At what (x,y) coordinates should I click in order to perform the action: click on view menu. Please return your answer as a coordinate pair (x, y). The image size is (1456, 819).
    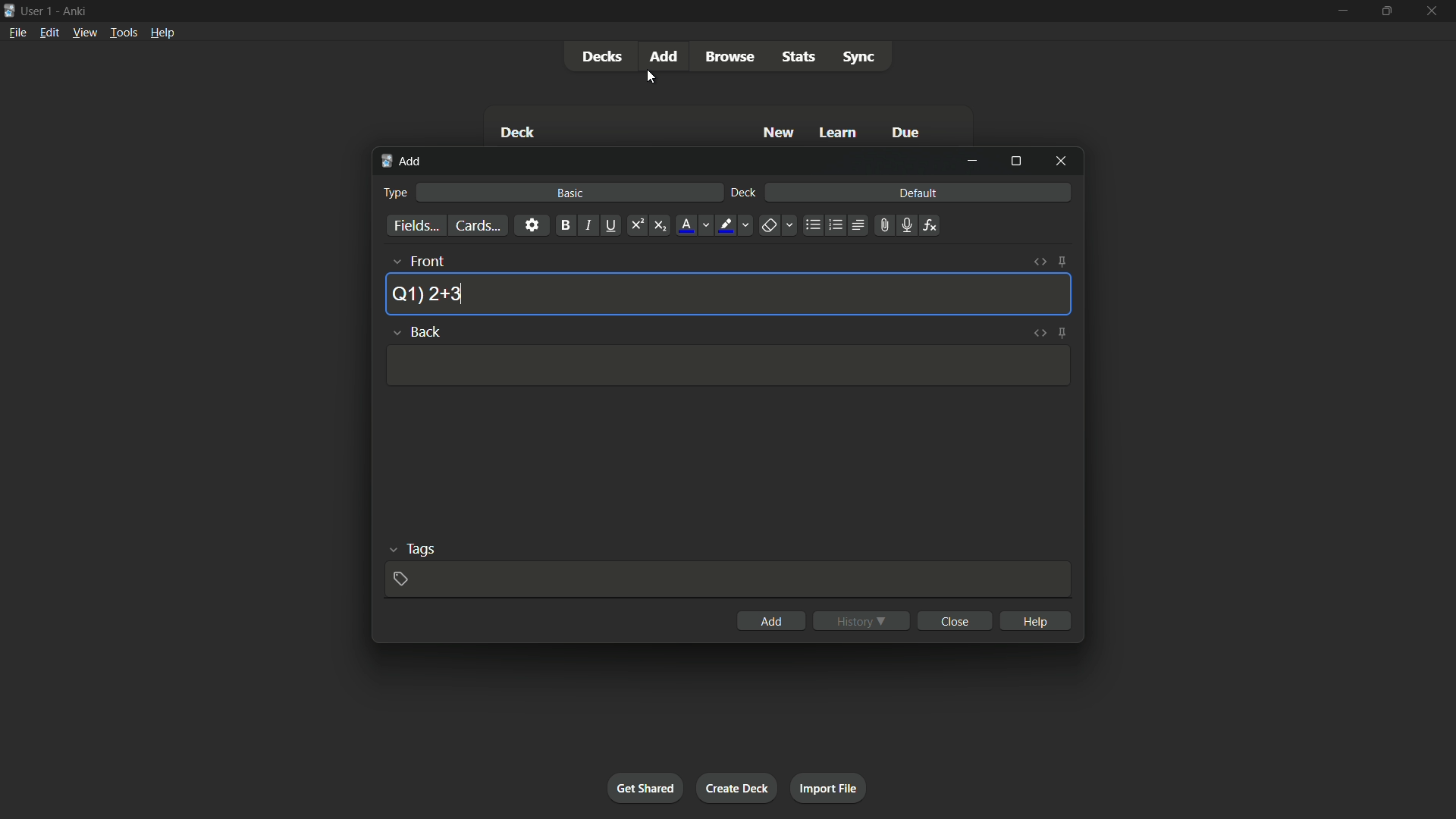
    Looking at the image, I should click on (83, 31).